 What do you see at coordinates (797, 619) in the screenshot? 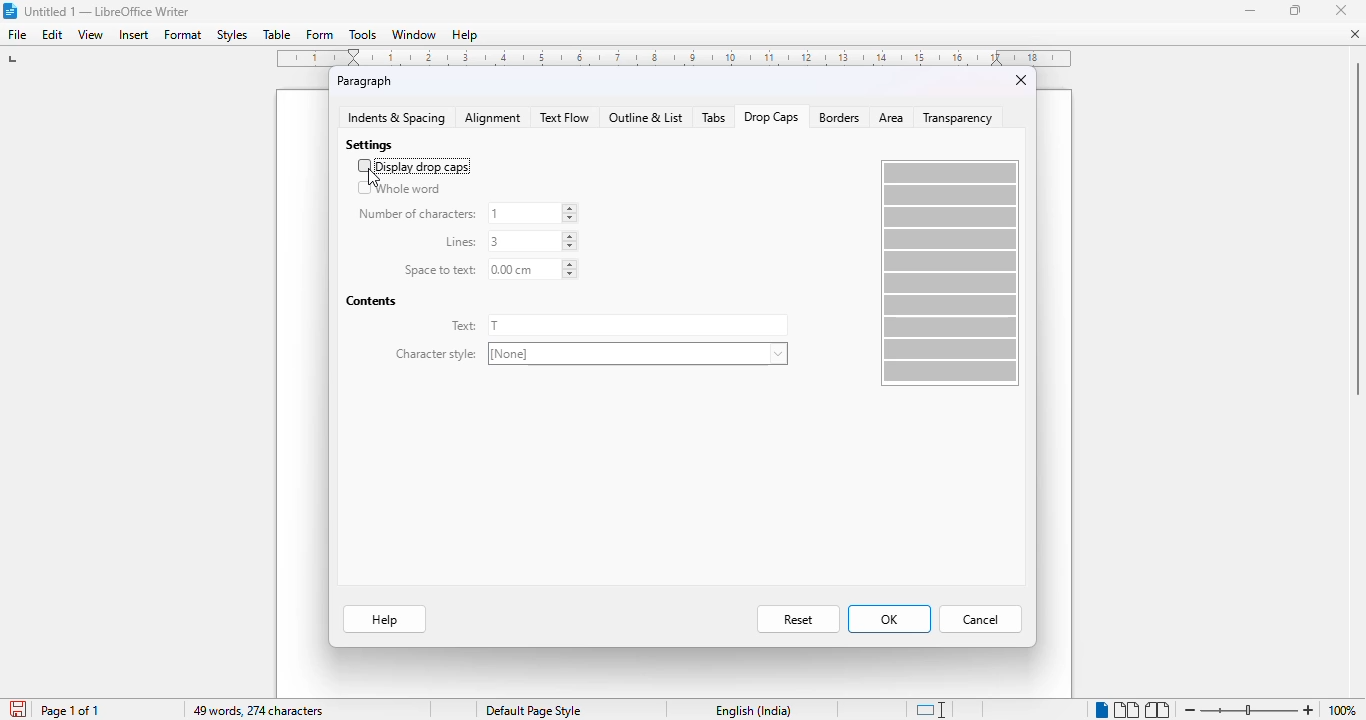
I see `reset` at bounding box center [797, 619].